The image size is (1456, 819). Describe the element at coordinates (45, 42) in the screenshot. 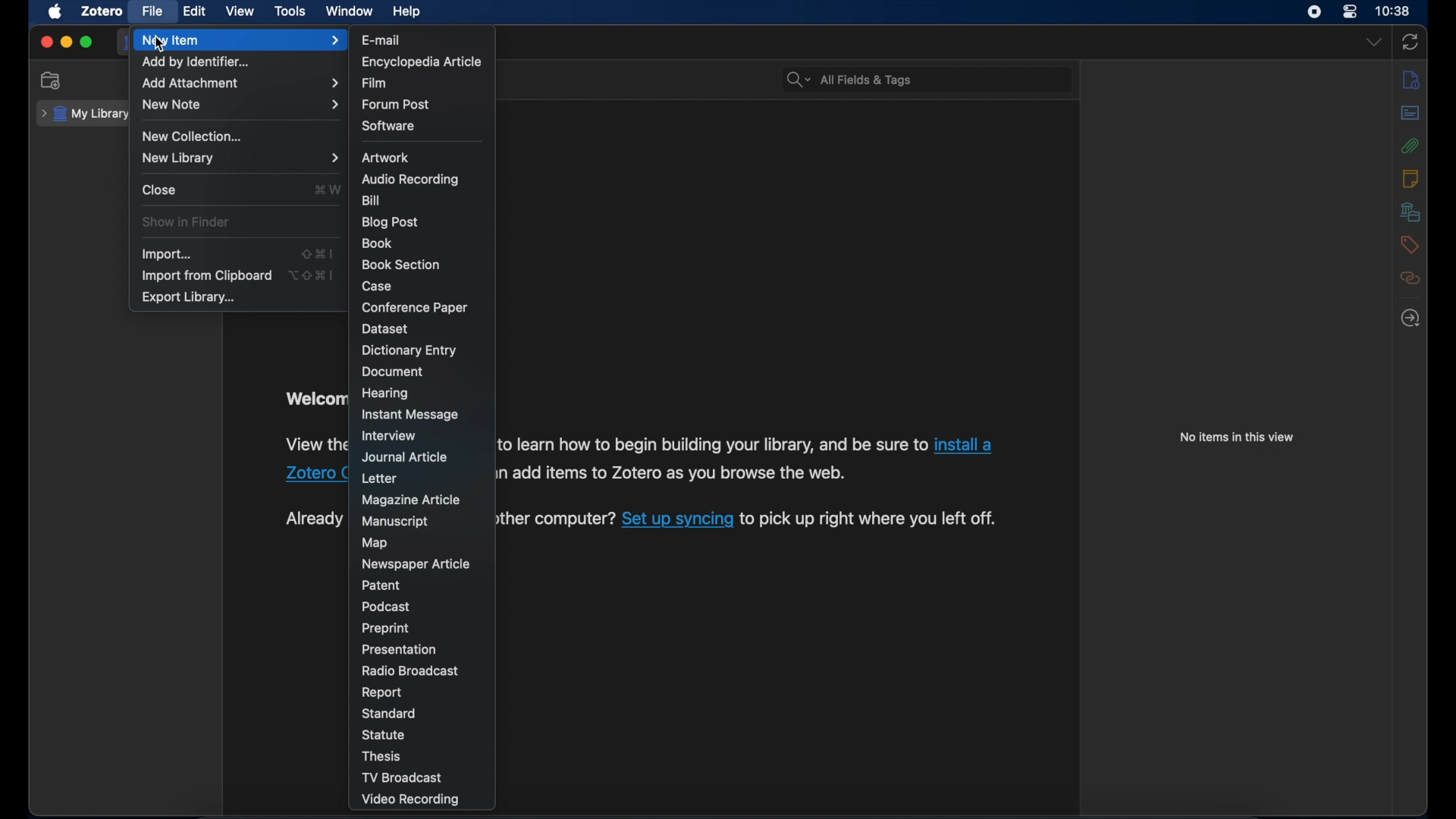

I see `close` at that location.